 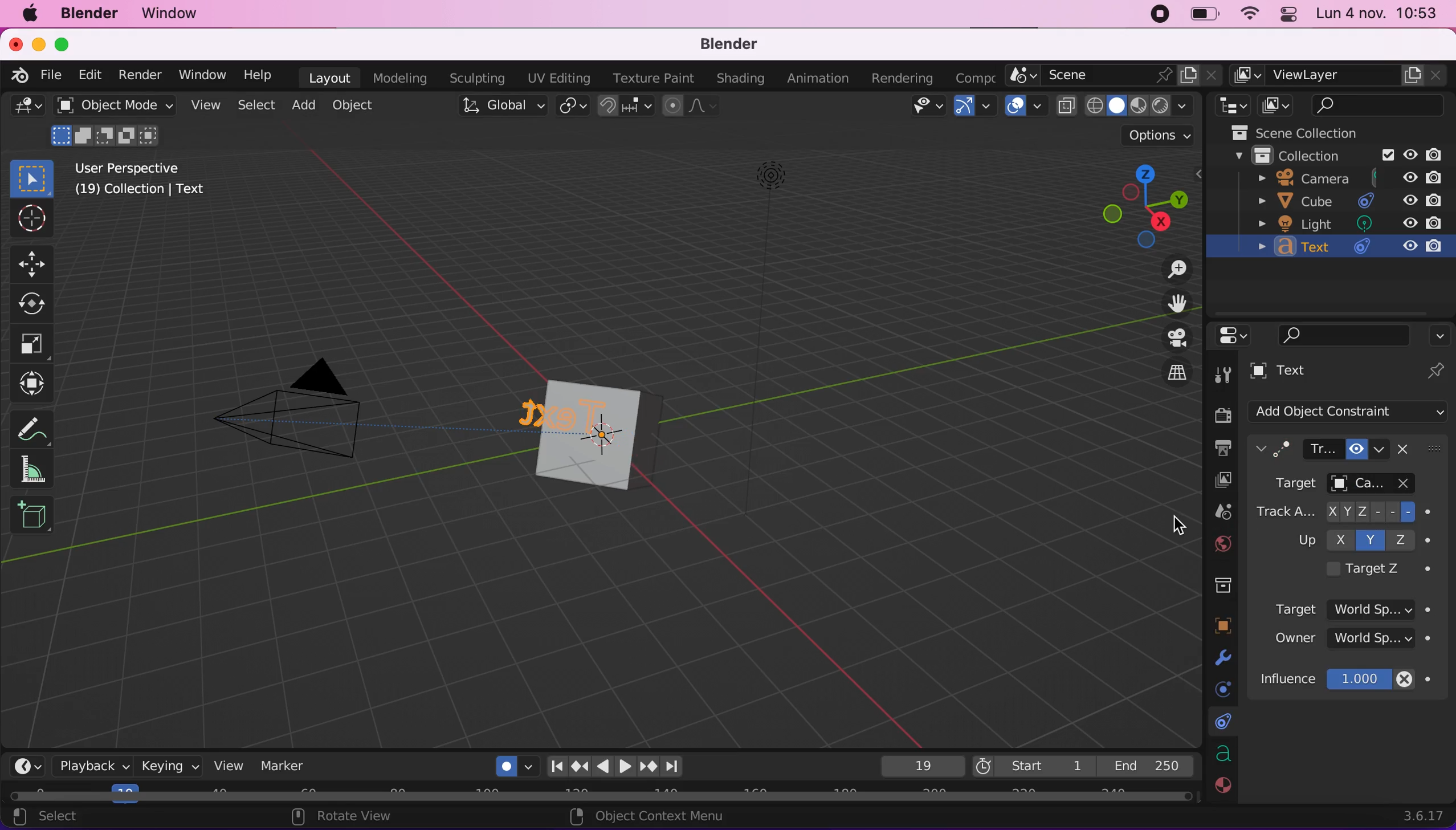 I want to click on blender, so click(x=18, y=76).